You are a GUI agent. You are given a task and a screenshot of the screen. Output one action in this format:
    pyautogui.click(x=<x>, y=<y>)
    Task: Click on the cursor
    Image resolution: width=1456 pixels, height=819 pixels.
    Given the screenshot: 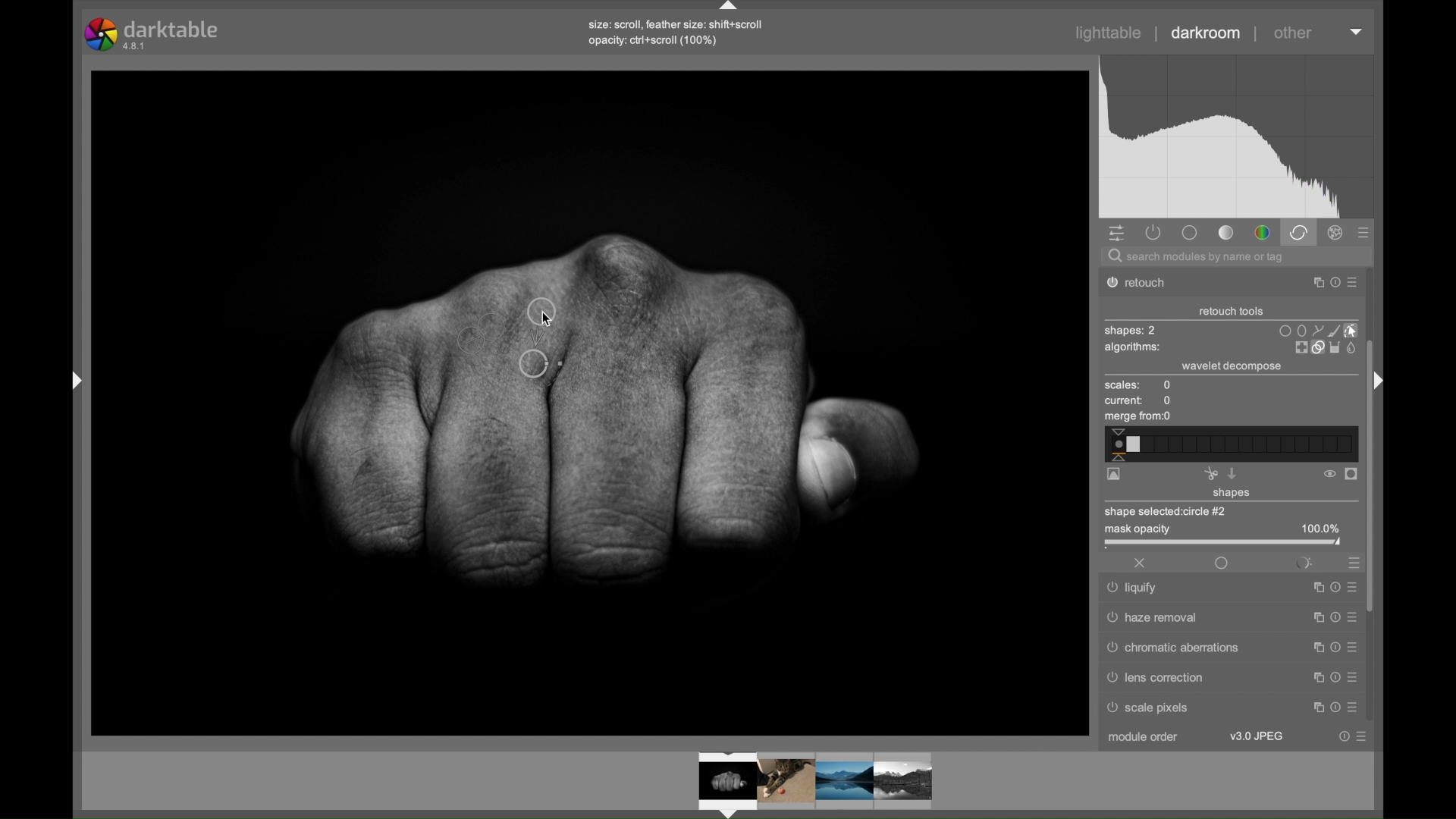 What is the action you would take?
    pyautogui.click(x=557, y=320)
    